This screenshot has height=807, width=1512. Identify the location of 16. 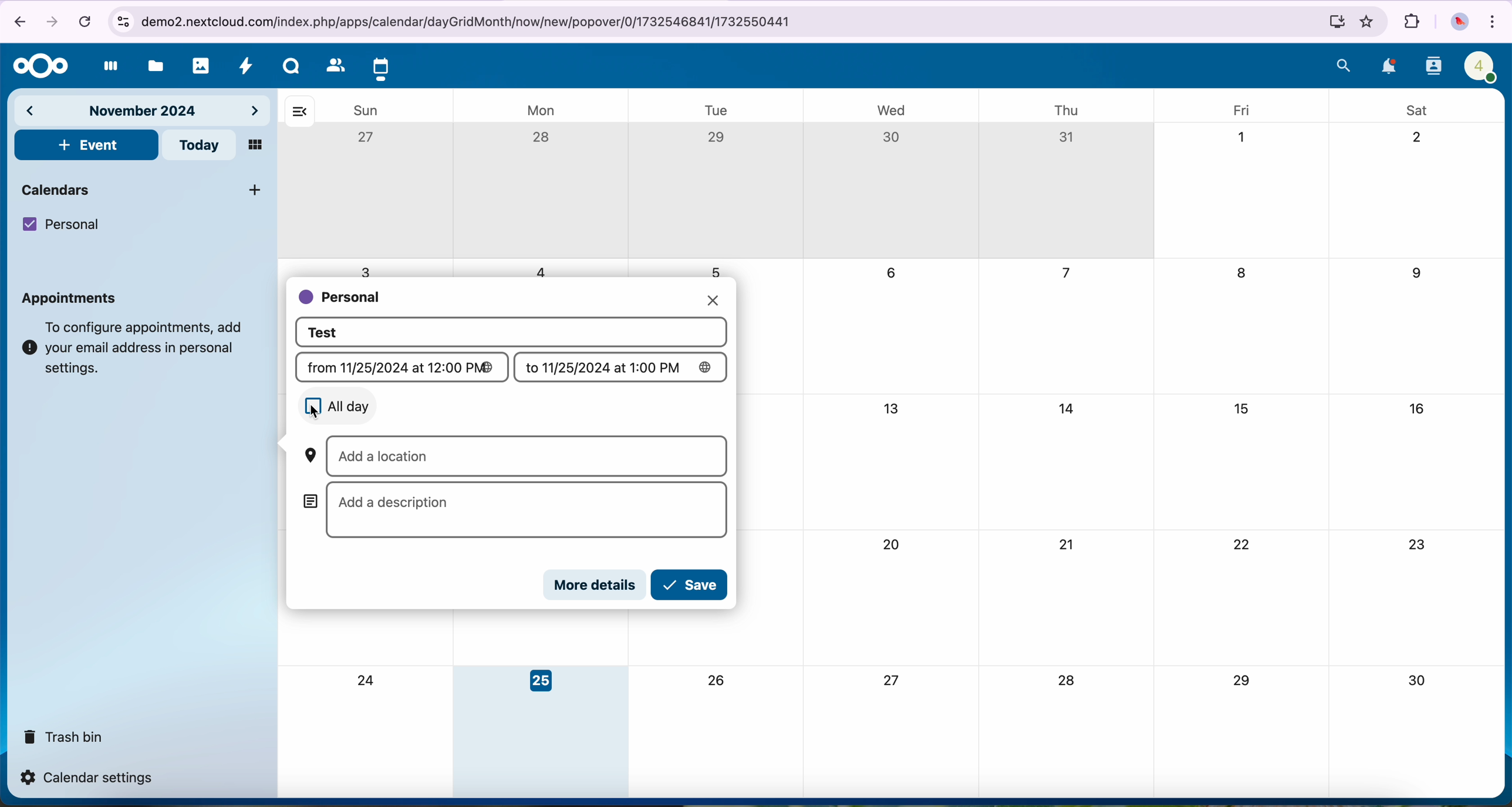
(1419, 408).